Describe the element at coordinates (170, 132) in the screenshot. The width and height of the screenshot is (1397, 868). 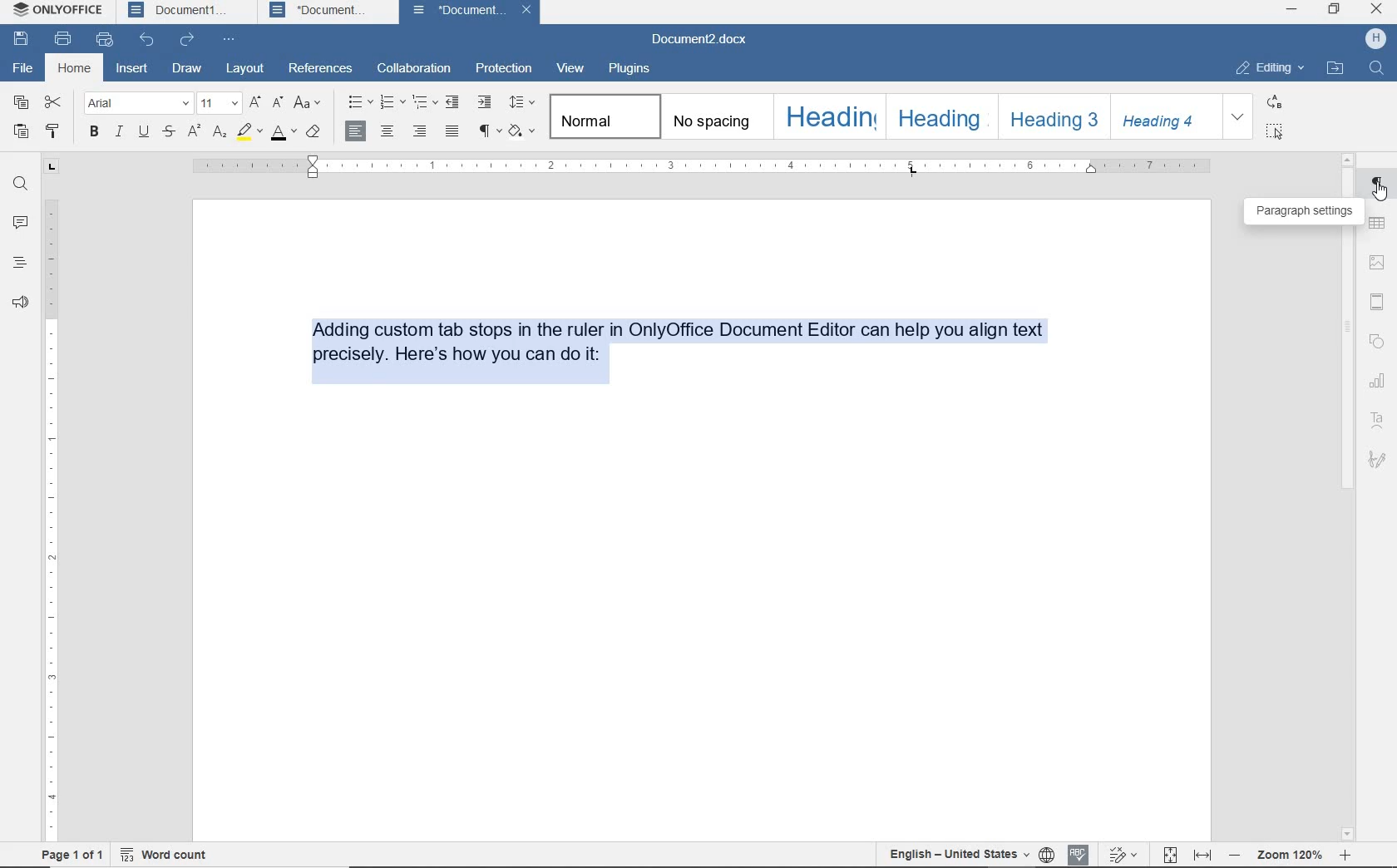
I see `strikethrough` at that location.